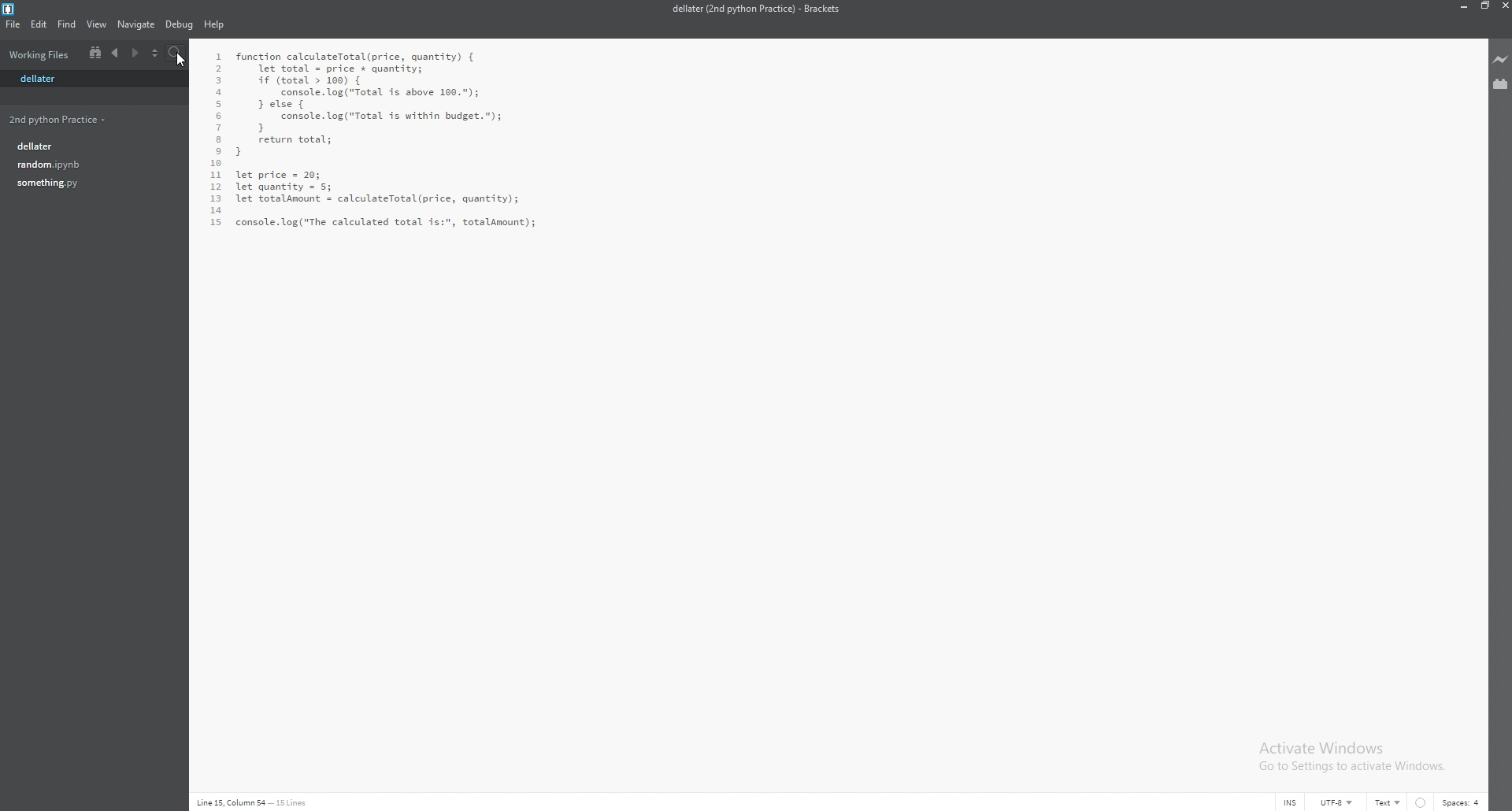 This screenshot has width=1512, height=811. What do you see at coordinates (114, 54) in the screenshot?
I see `previous` at bounding box center [114, 54].